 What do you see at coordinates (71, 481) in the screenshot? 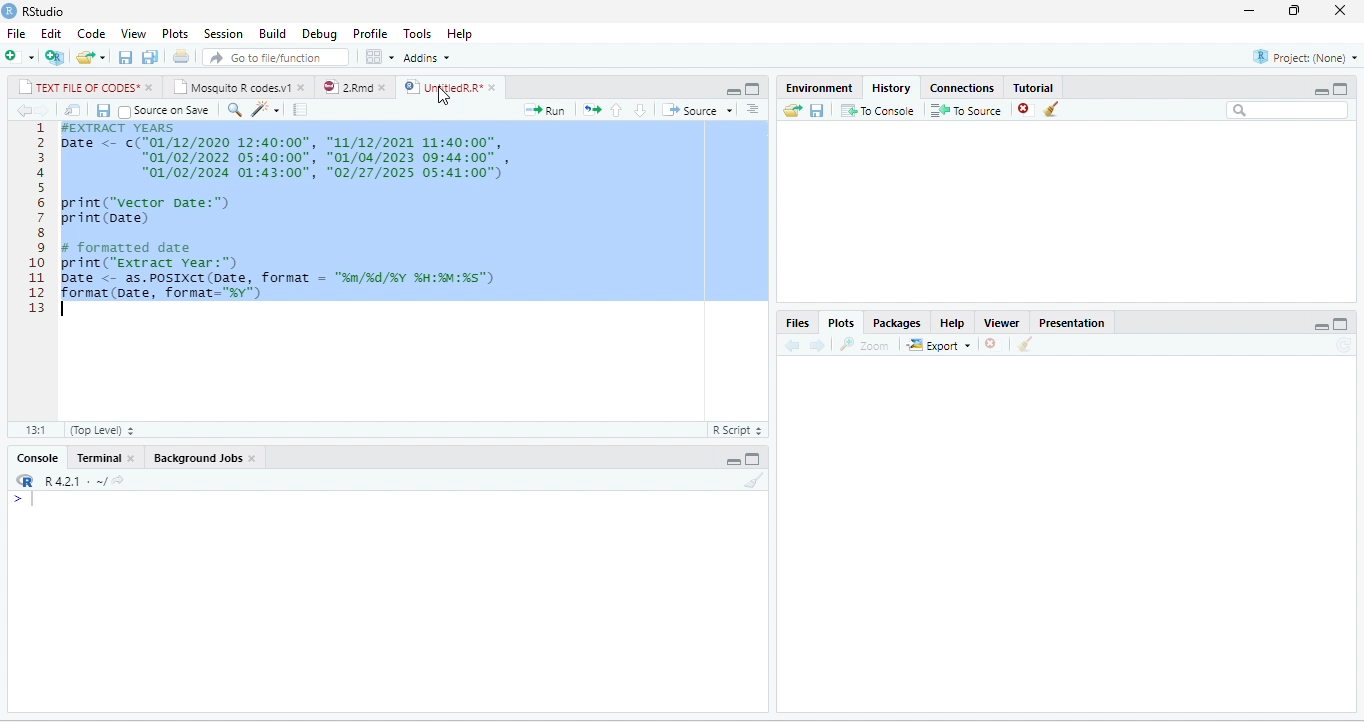
I see `R 4.2.1 .~/` at bounding box center [71, 481].